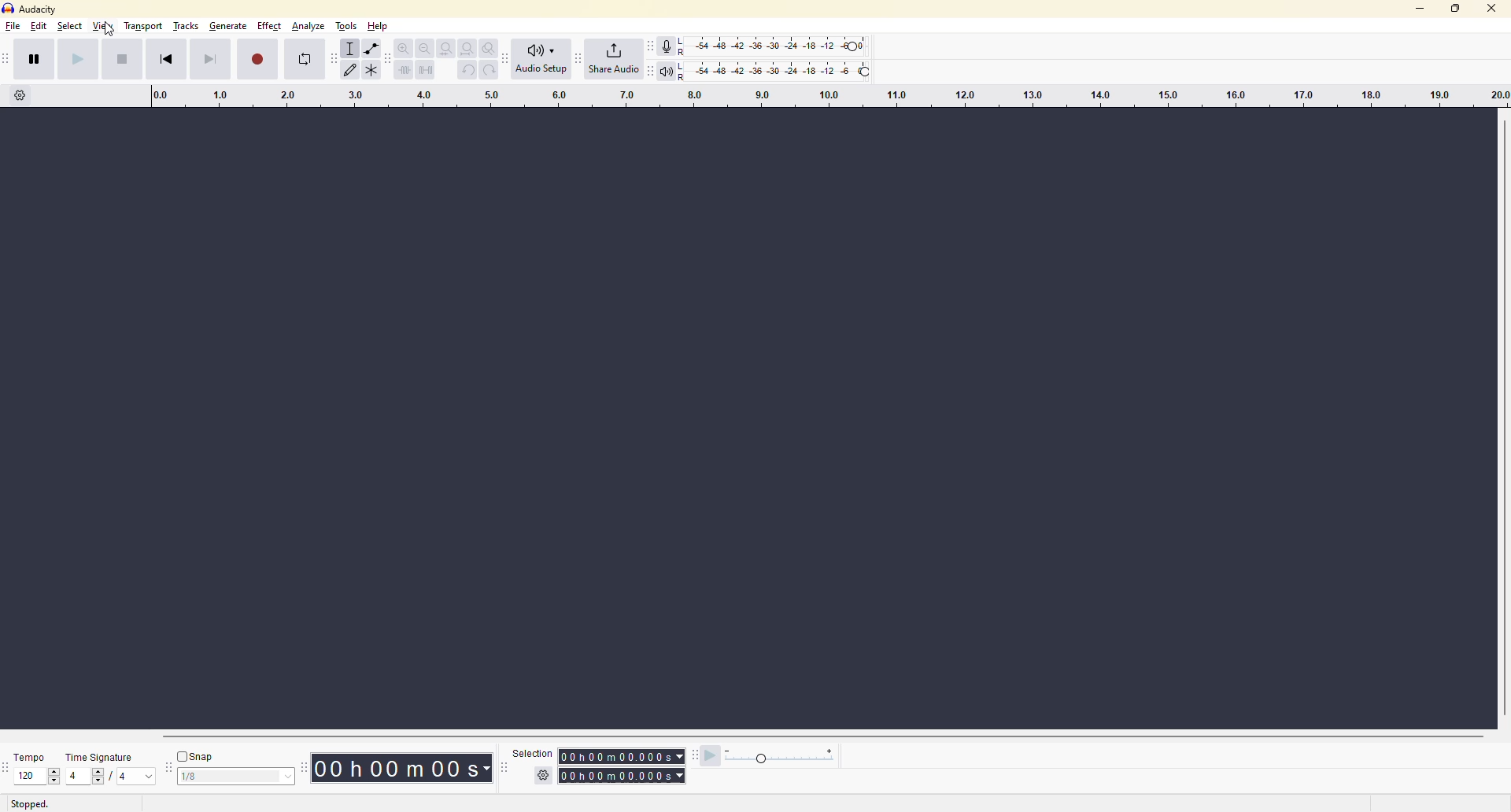  Describe the element at coordinates (35, 9) in the screenshot. I see `audacity` at that location.